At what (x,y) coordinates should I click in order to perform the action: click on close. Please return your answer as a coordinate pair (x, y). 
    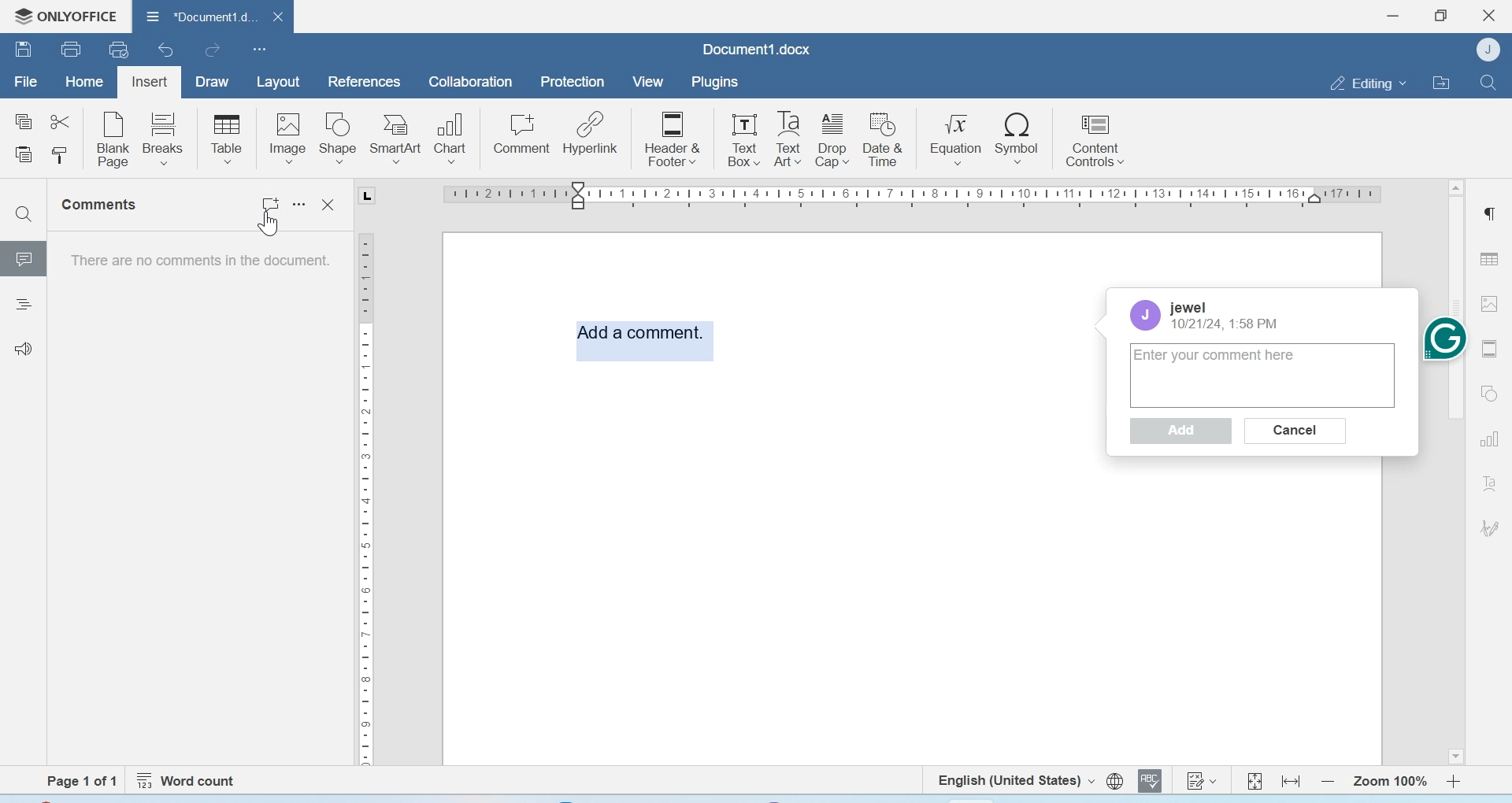
    Looking at the image, I should click on (280, 16).